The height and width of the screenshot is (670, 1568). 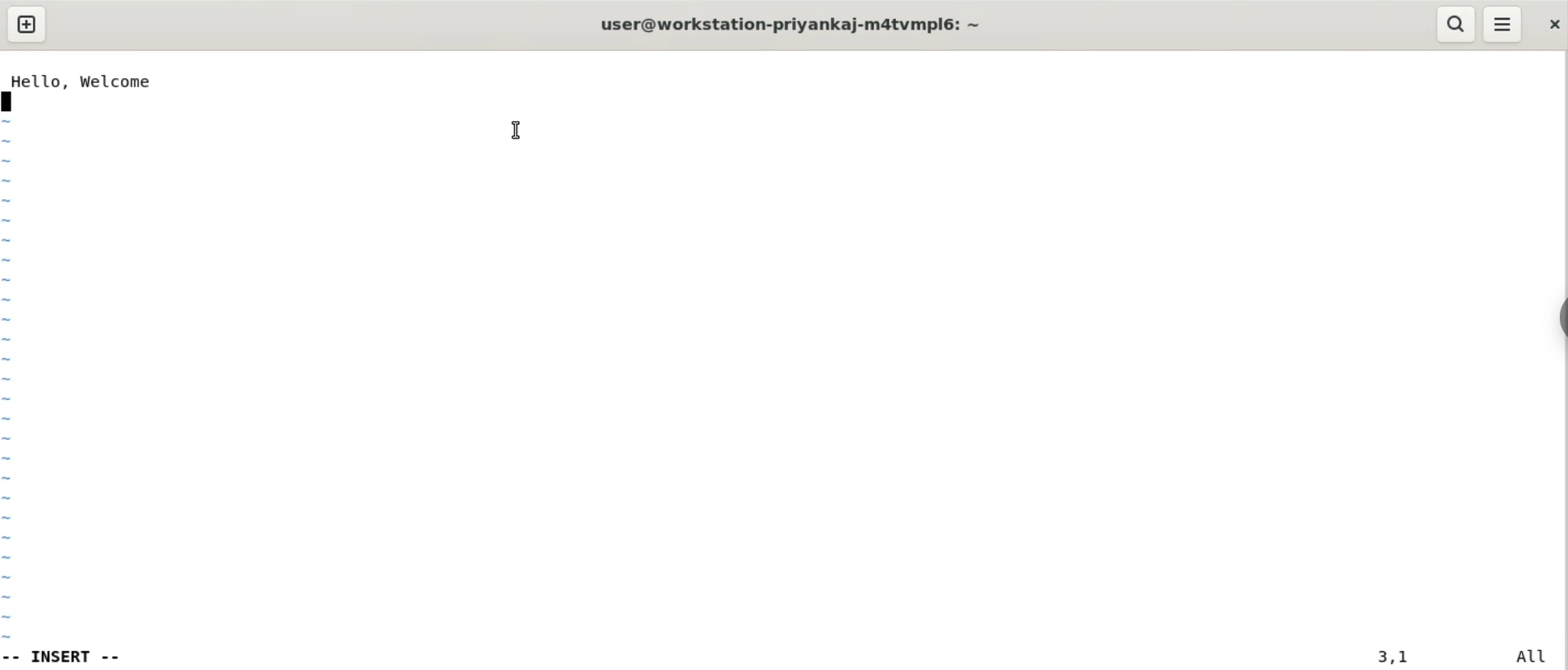 What do you see at coordinates (81, 81) in the screenshot?
I see `hello, welcome` at bounding box center [81, 81].